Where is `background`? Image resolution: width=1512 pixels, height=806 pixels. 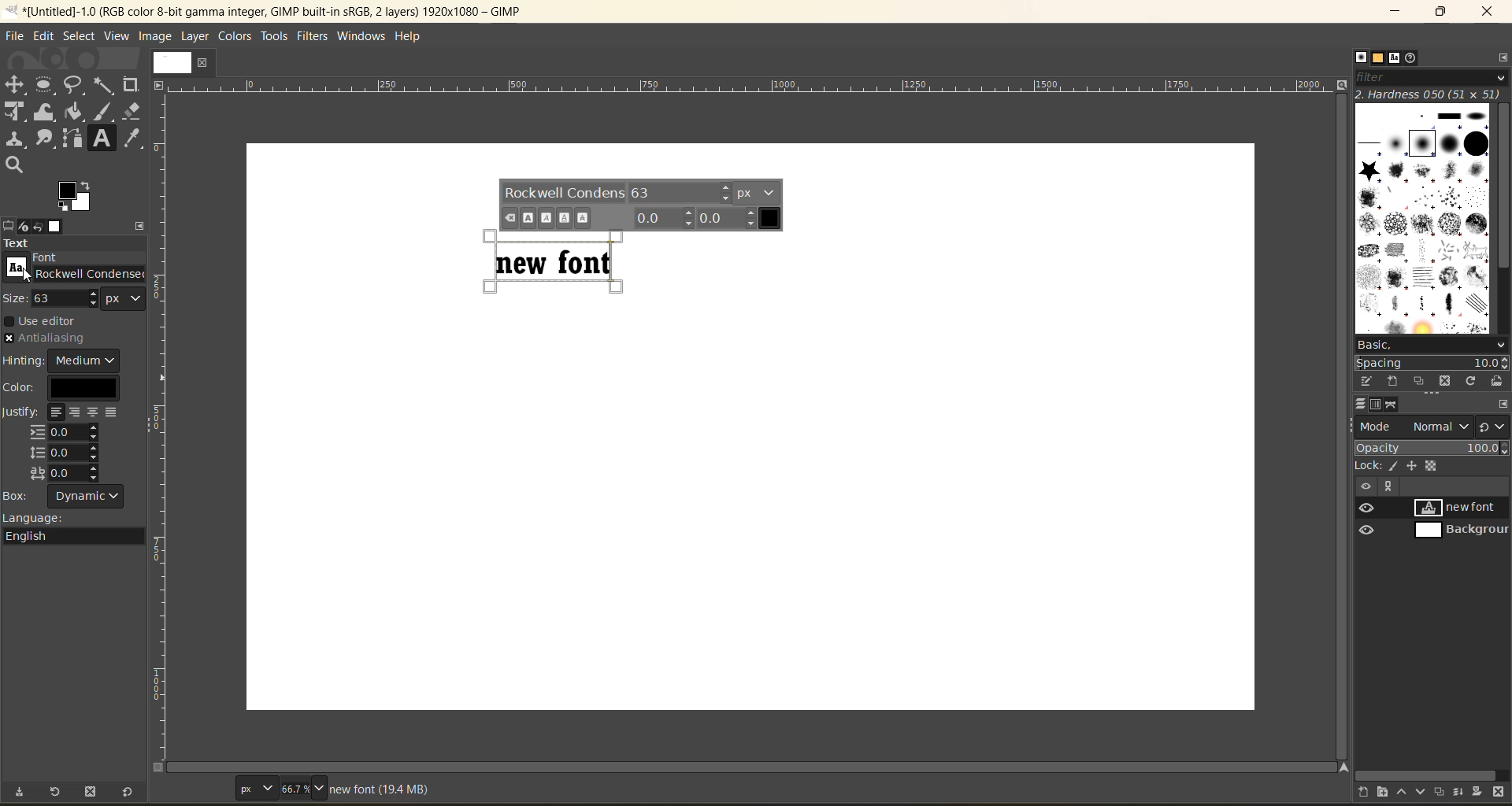 background is located at coordinates (1464, 531).